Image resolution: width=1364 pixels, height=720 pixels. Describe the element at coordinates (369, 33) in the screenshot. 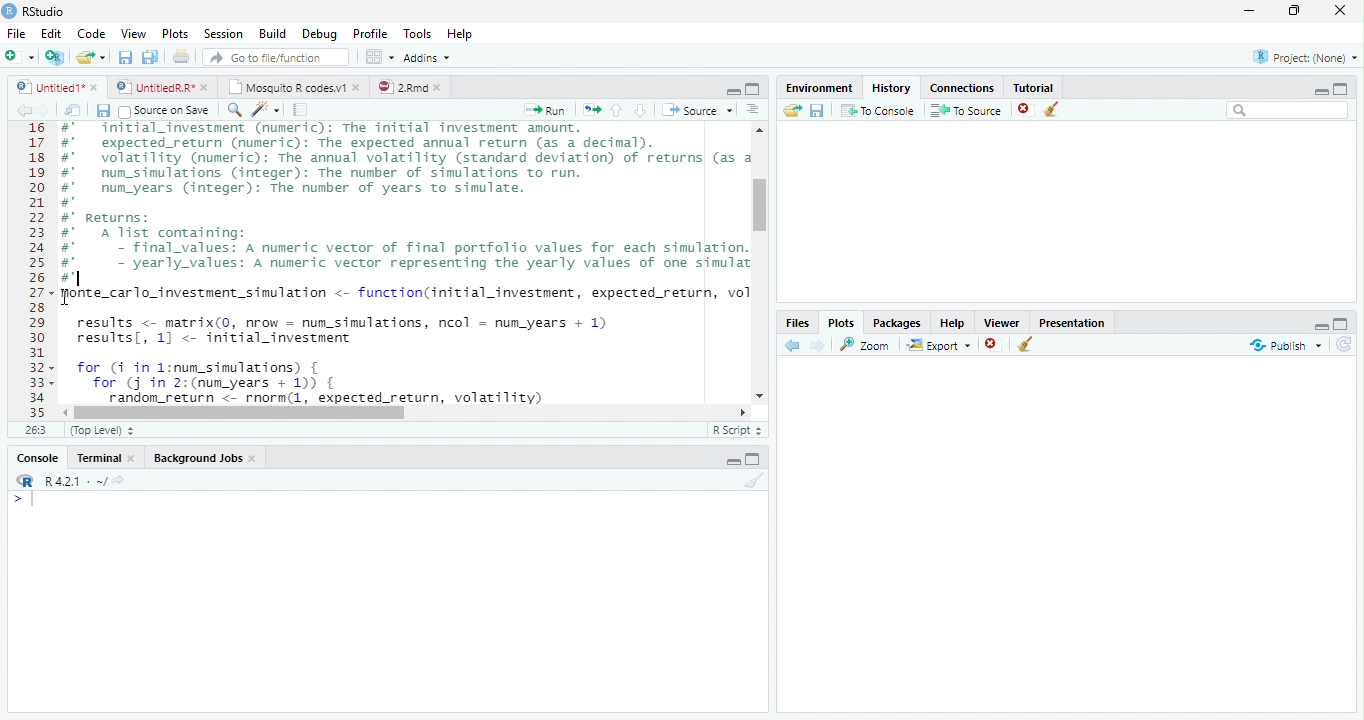

I see `Profile` at that location.